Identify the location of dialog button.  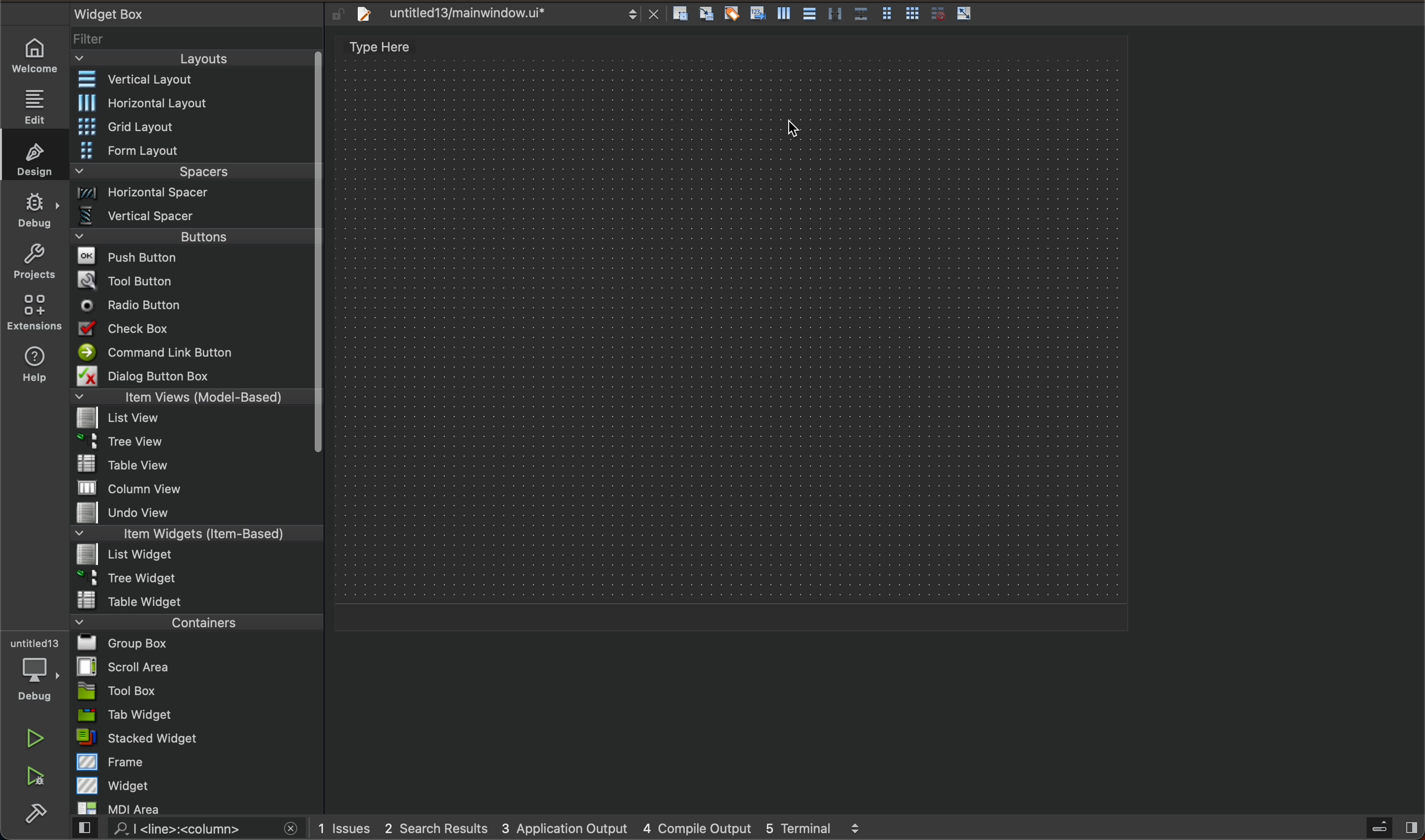
(194, 375).